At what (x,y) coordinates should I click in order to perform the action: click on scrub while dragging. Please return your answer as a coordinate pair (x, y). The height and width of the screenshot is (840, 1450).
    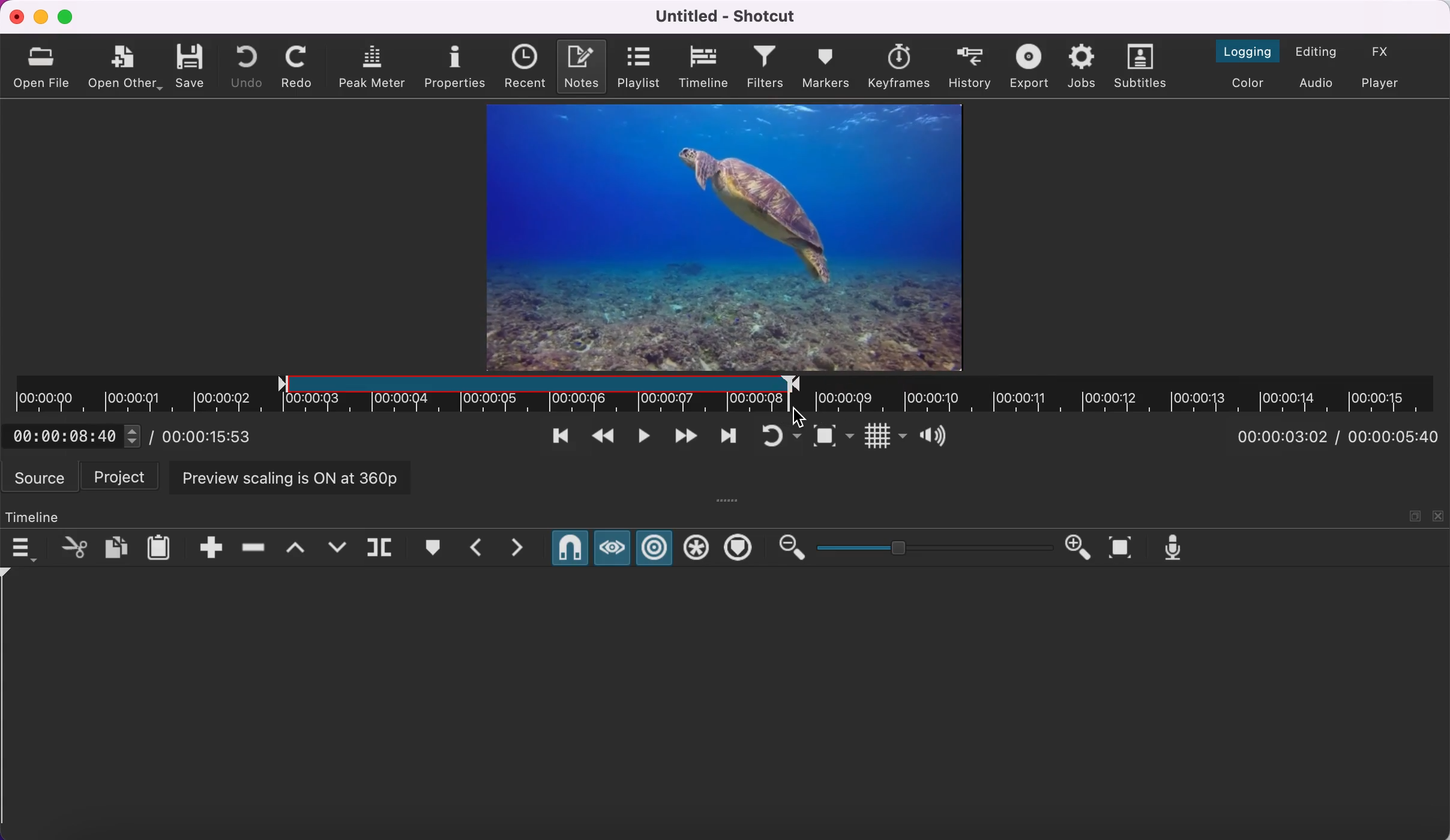
    Looking at the image, I should click on (612, 547).